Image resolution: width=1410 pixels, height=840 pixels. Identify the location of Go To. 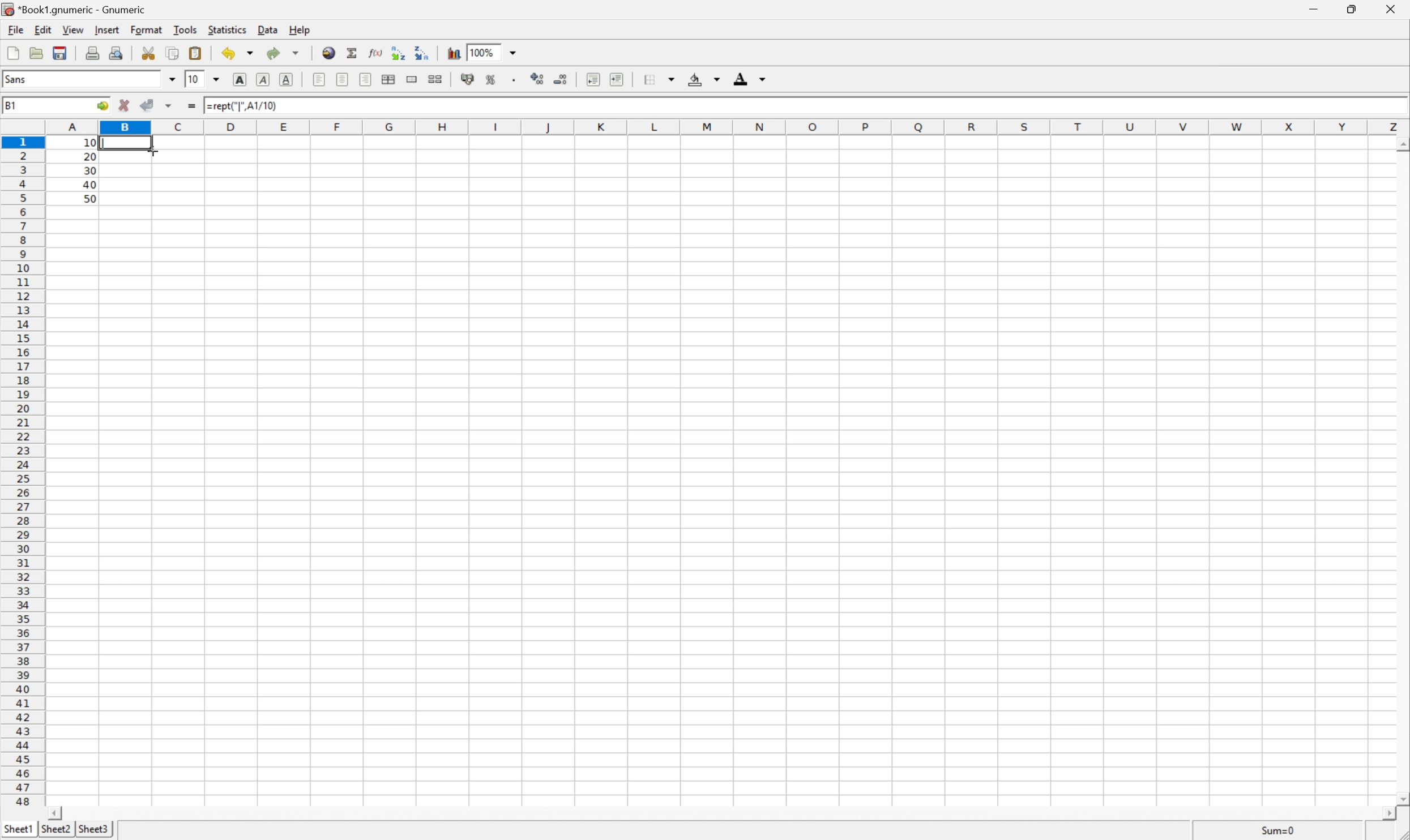
(101, 106).